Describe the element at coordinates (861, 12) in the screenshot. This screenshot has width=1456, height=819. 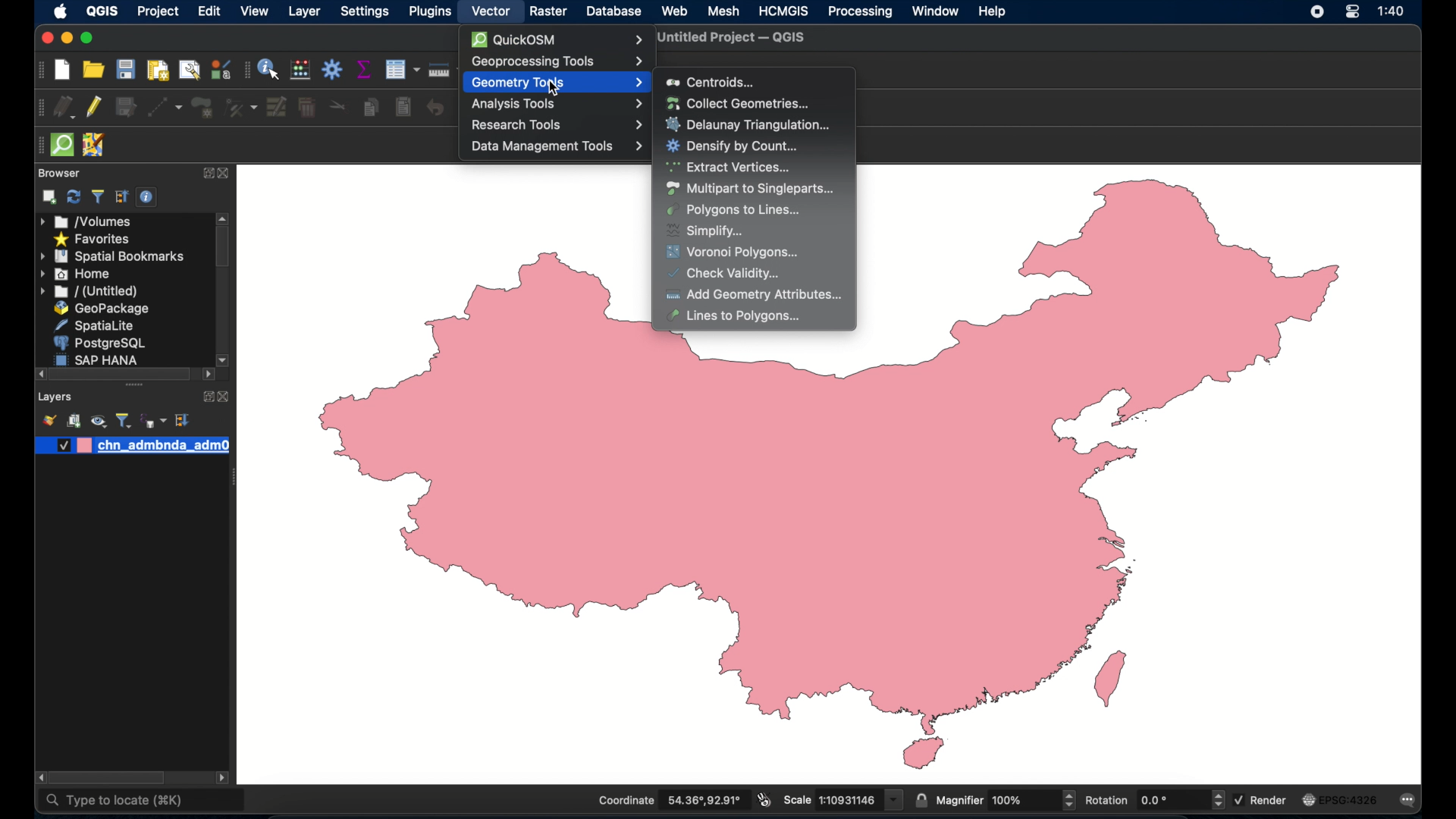
I see `processing ` at that location.